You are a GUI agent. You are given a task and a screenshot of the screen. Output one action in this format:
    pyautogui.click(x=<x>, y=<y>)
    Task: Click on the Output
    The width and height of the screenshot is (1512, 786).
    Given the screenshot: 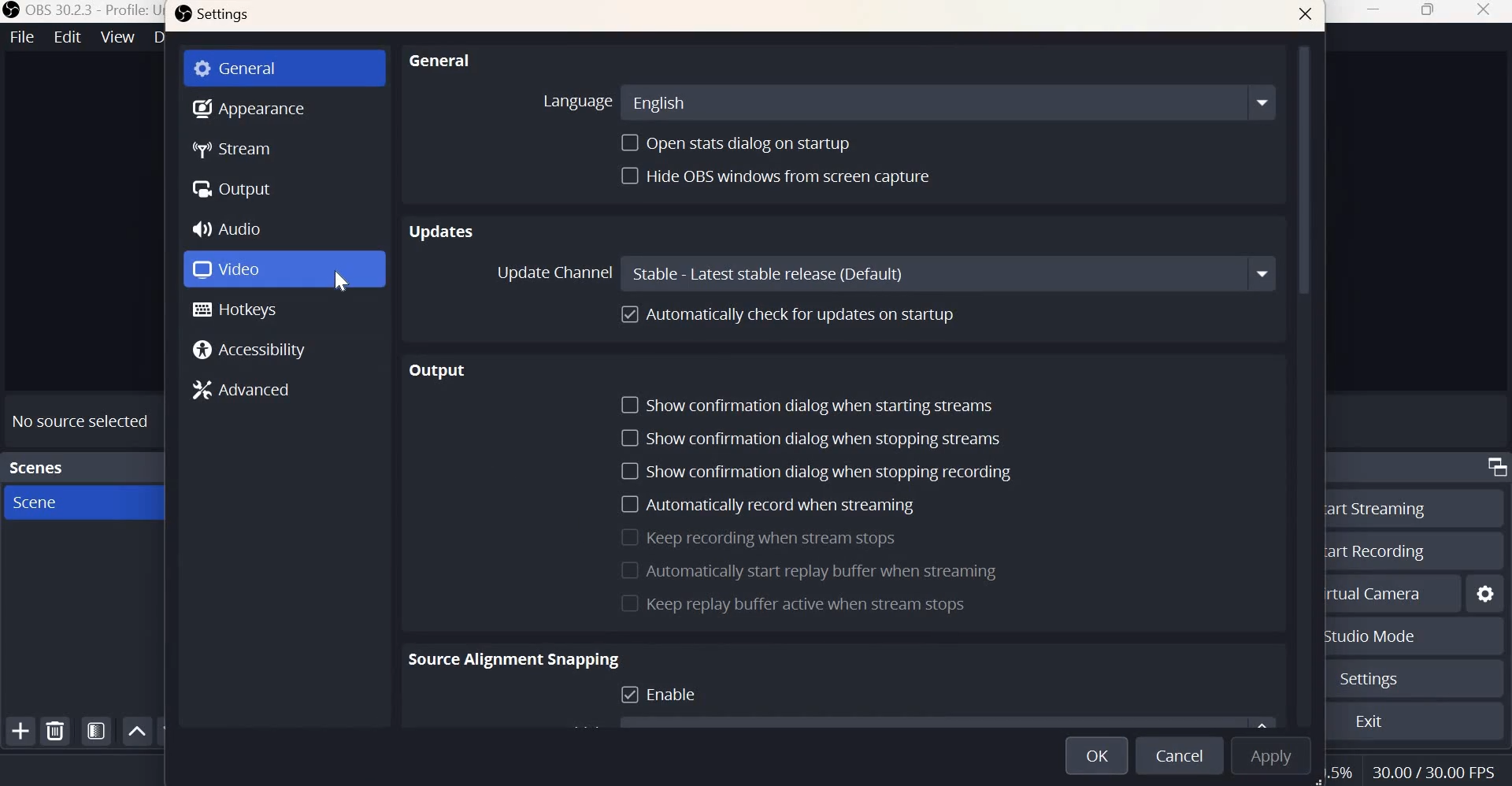 What is the action you would take?
    pyautogui.click(x=232, y=187)
    